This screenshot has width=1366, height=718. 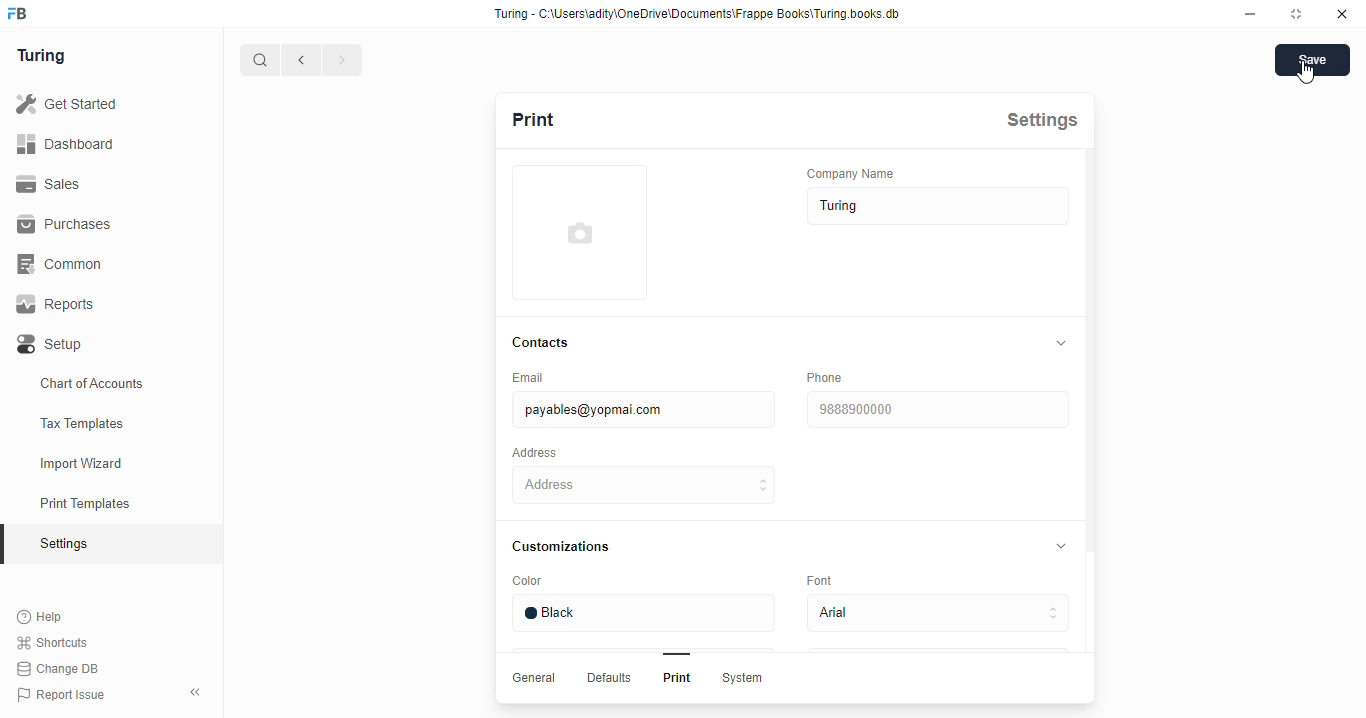 I want to click on ‘Phone, so click(x=827, y=377).